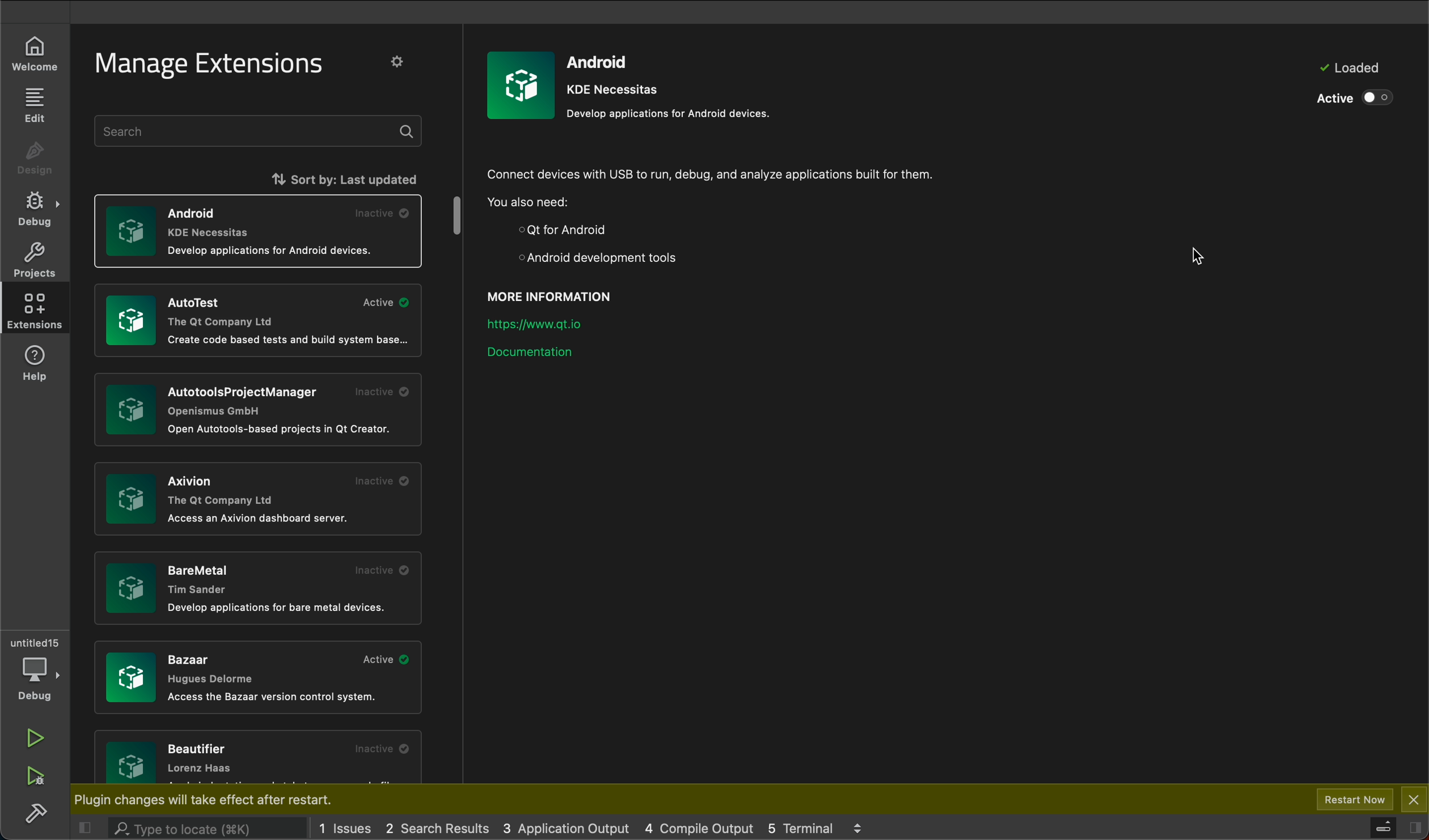 This screenshot has height=840, width=1429. I want to click on debug, so click(32, 208).